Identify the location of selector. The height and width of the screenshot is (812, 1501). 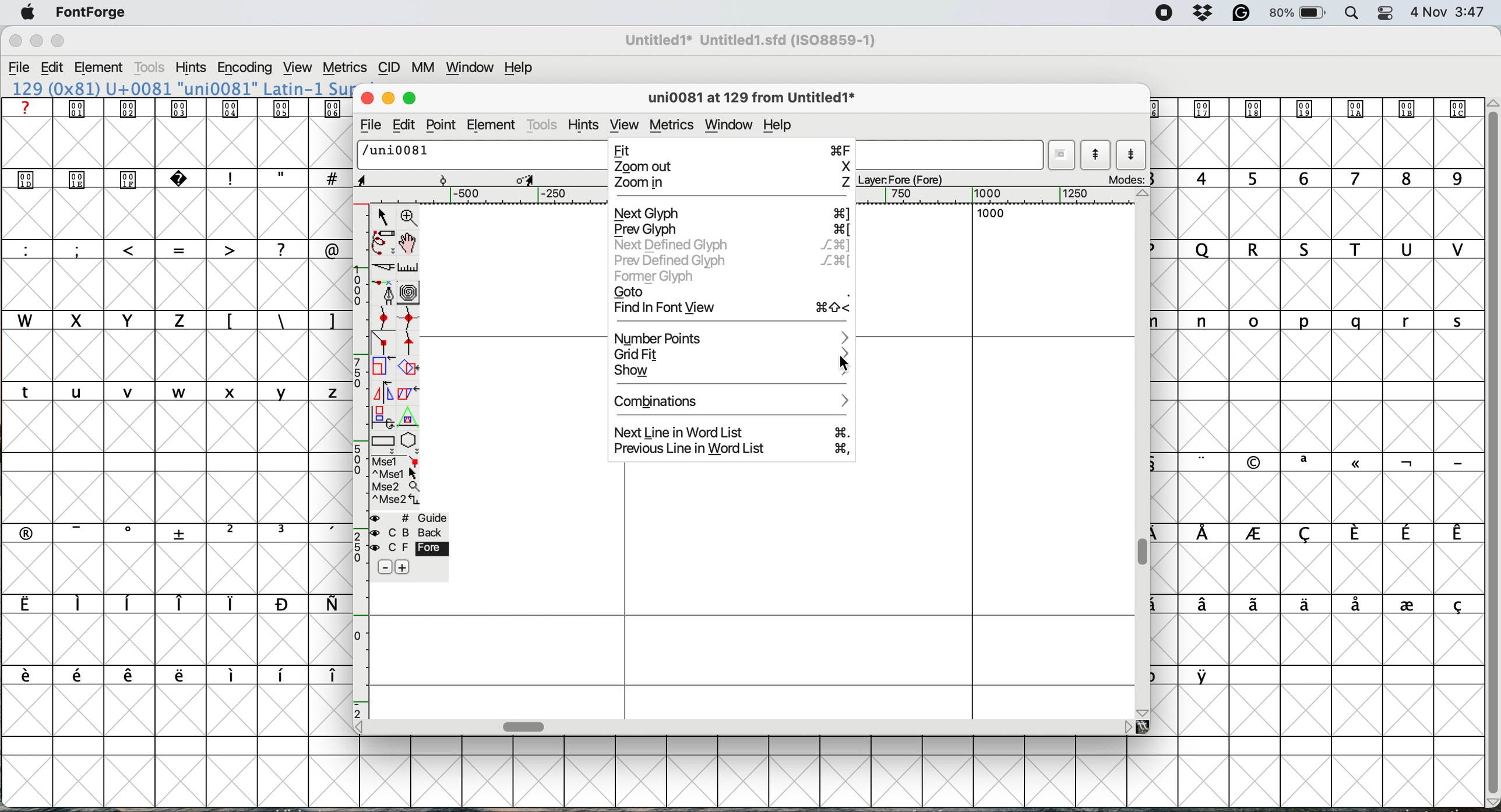
(383, 216).